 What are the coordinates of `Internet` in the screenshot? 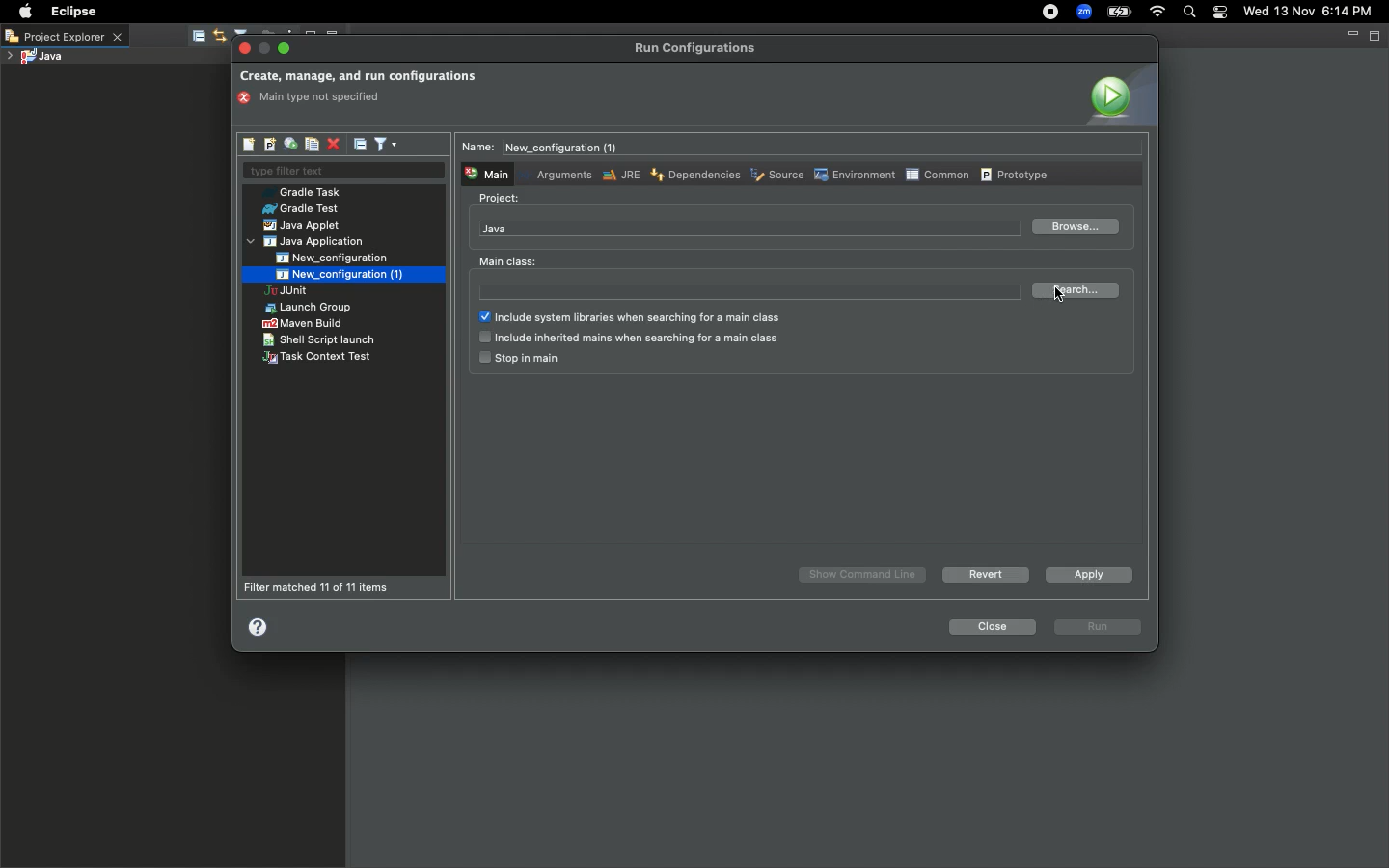 It's located at (1156, 14).